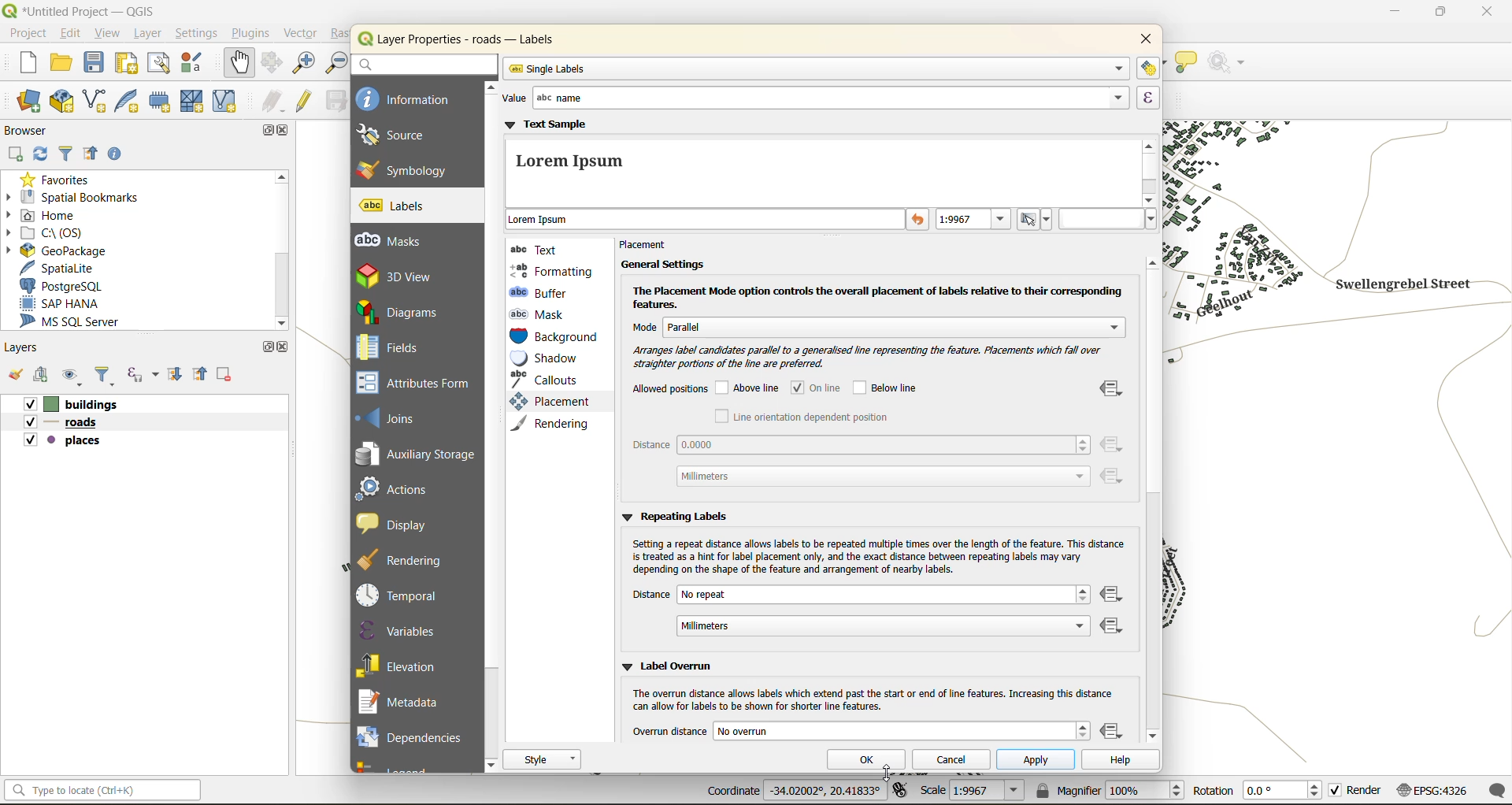 The width and height of the screenshot is (1512, 805). What do you see at coordinates (872, 761) in the screenshot?
I see `ok` at bounding box center [872, 761].